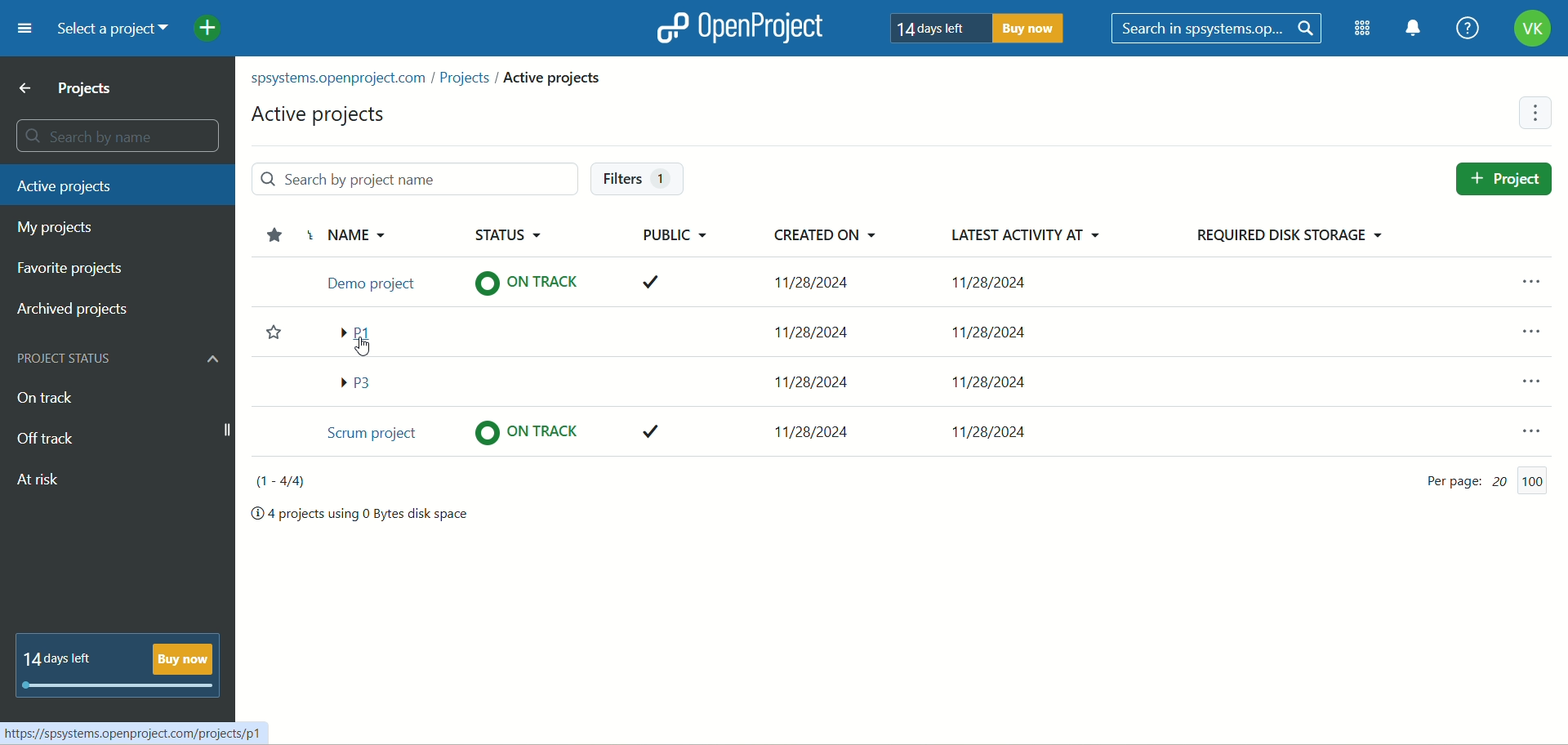 This screenshot has height=745, width=1568. I want to click on my projects, so click(61, 228).